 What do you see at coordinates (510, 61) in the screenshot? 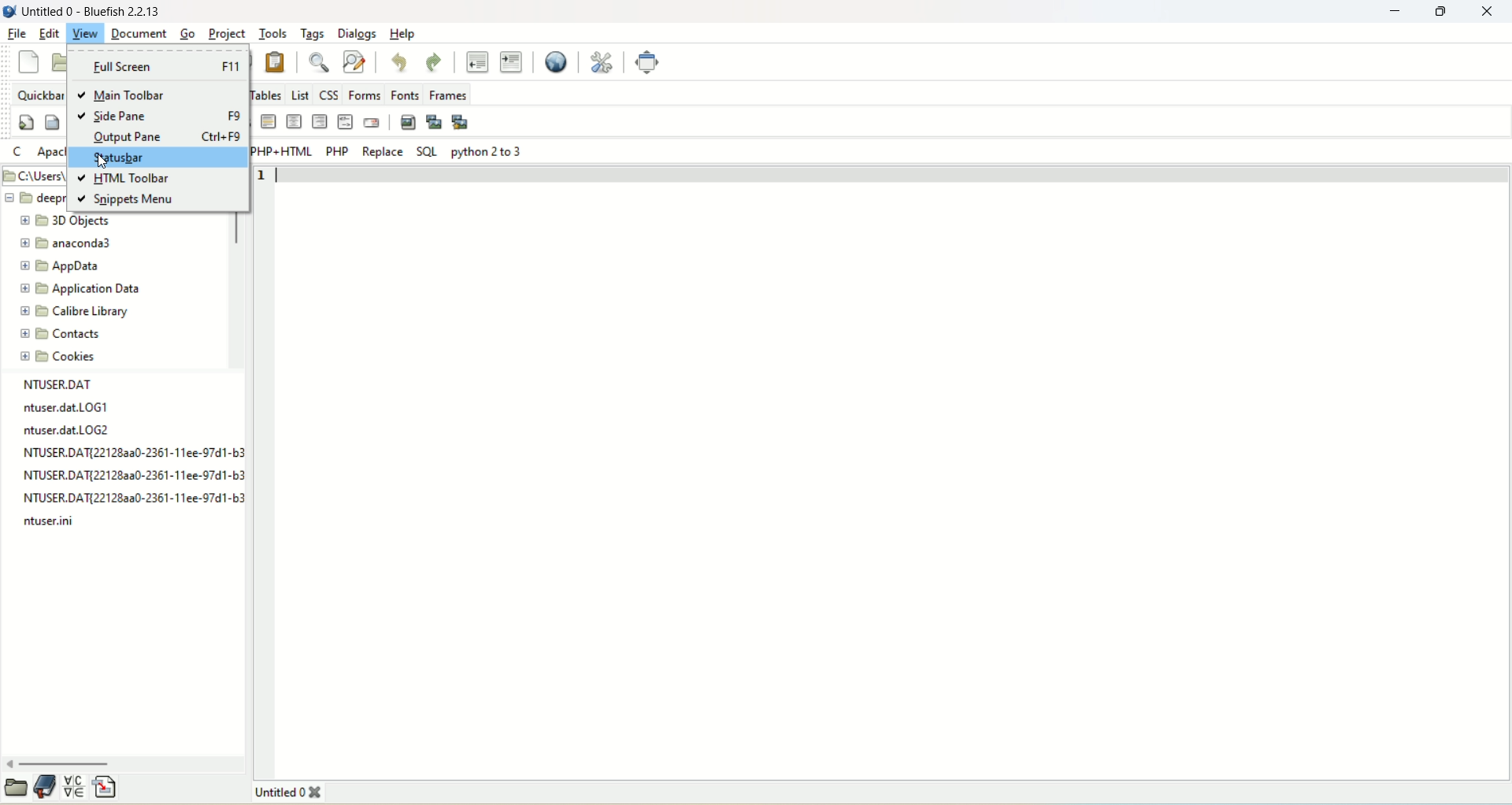
I see `indent` at bounding box center [510, 61].